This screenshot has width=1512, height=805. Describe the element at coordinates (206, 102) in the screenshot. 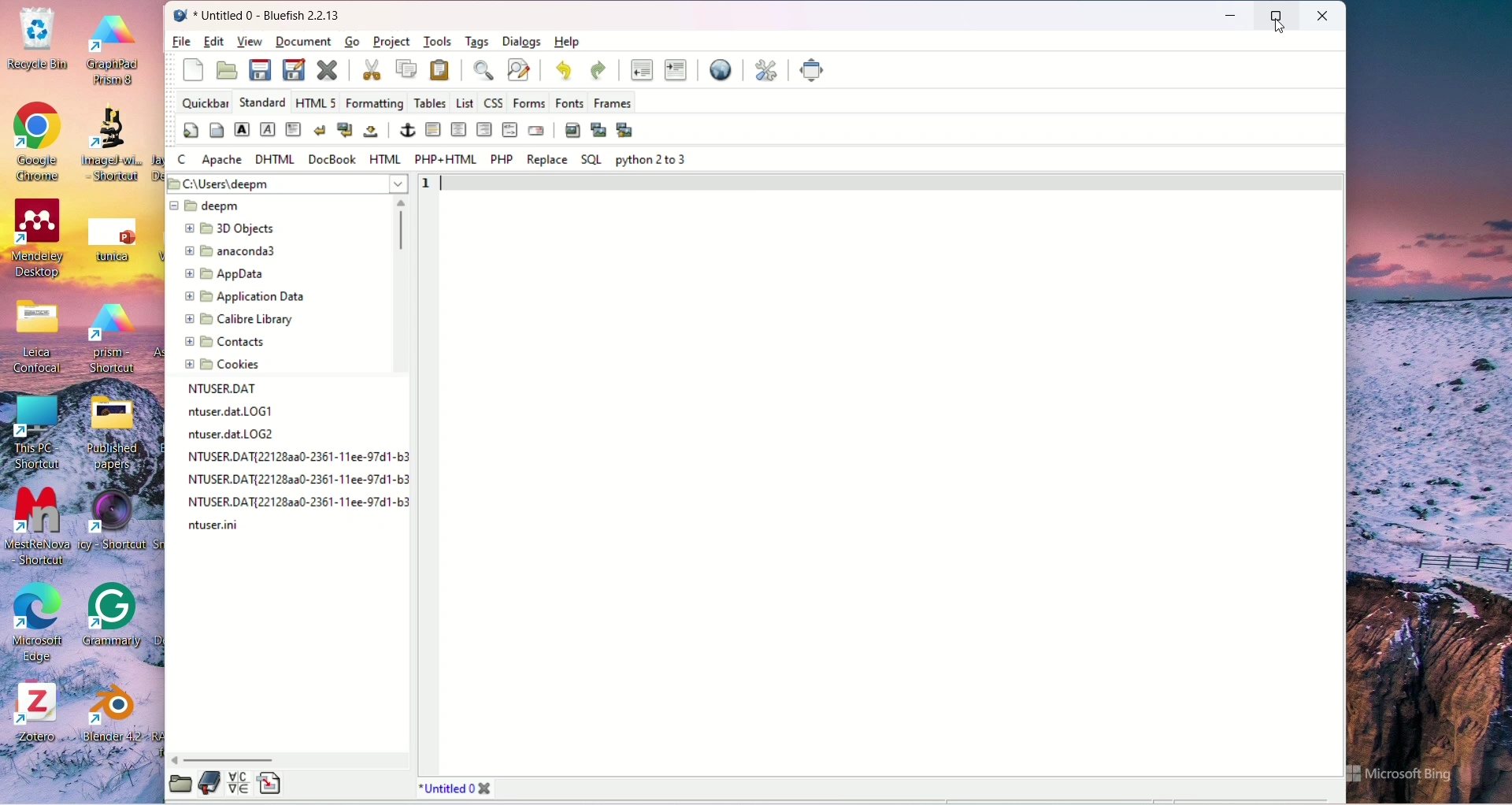

I see `quickbar` at that location.